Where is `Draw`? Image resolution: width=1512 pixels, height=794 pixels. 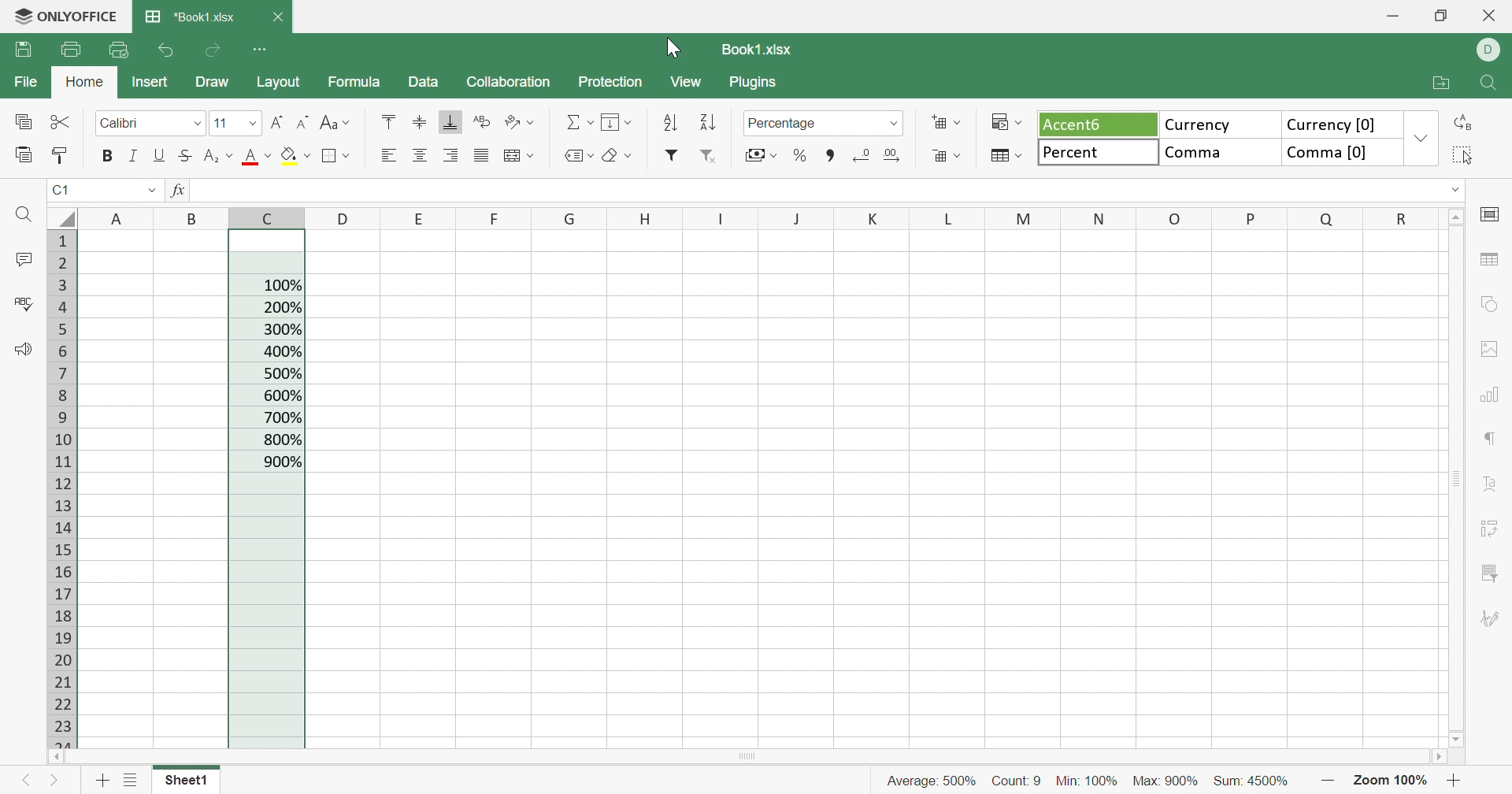
Draw is located at coordinates (211, 80).